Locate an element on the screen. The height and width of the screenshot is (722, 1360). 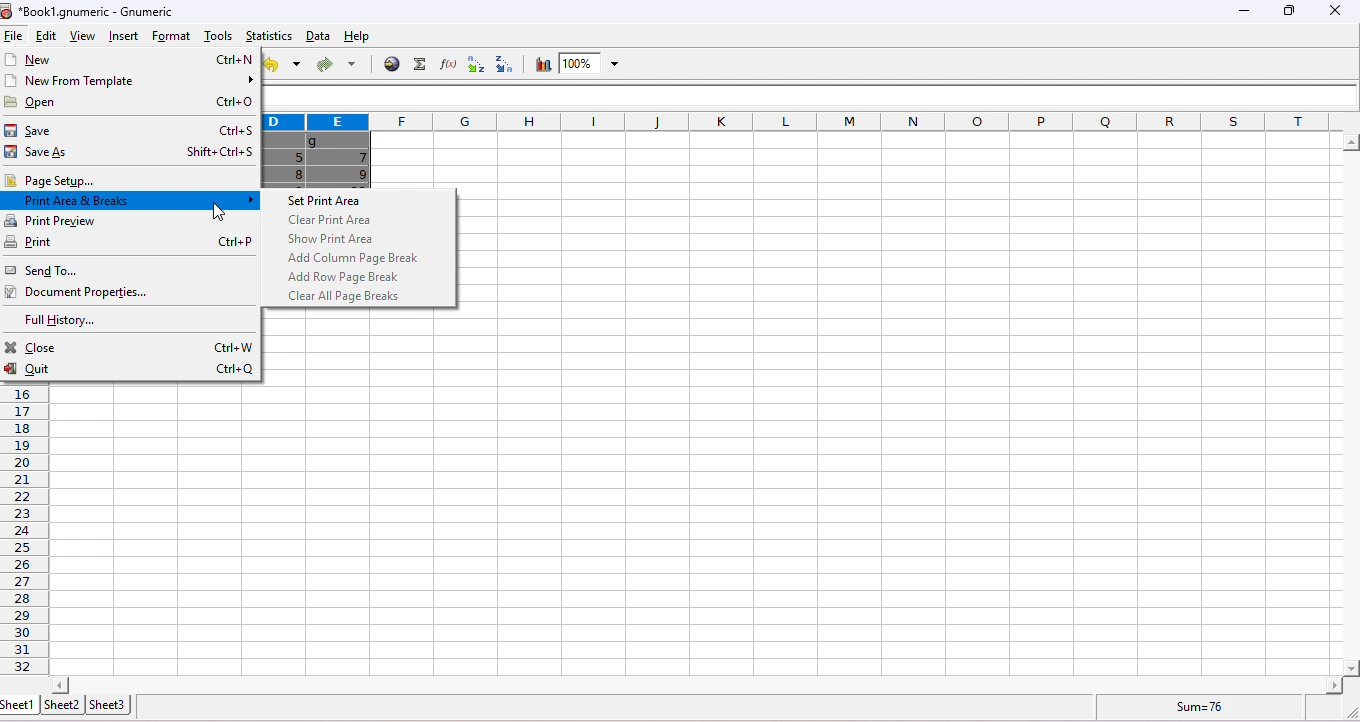
sheet3 is located at coordinates (107, 704).